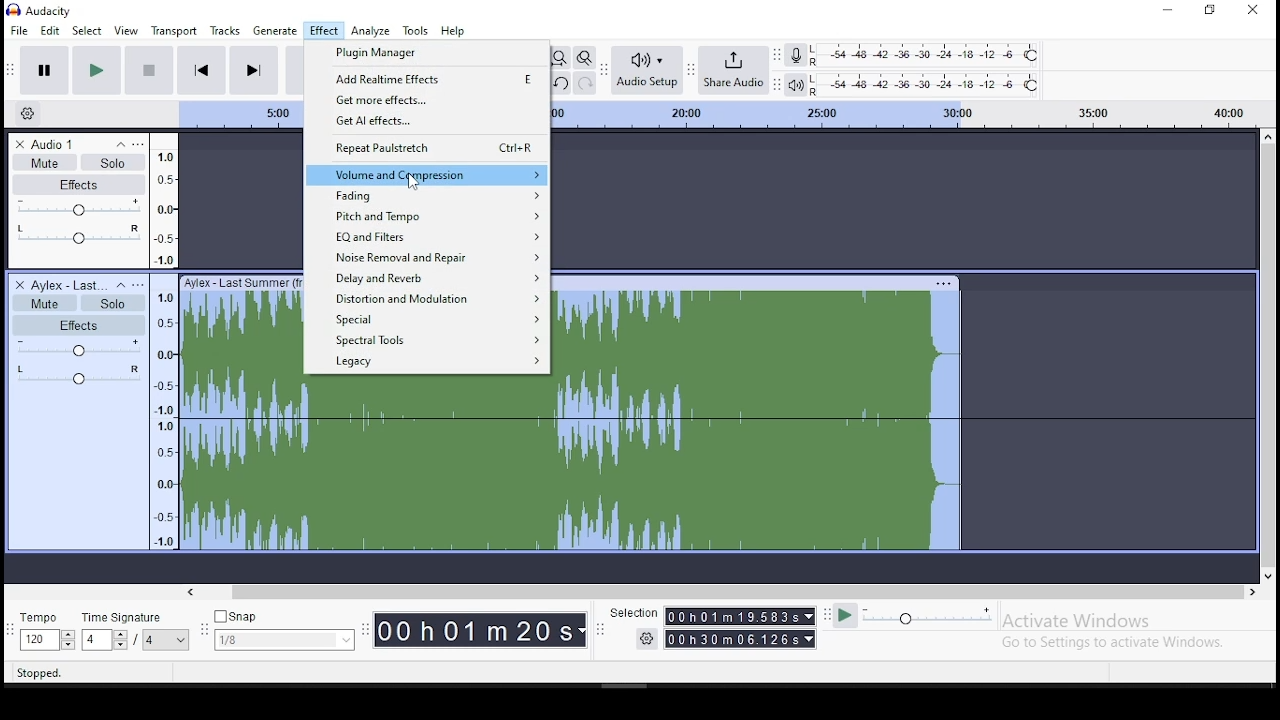 This screenshot has height=720, width=1280. Describe the element at coordinates (77, 348) in the screenshot. I see `volume` at that location.